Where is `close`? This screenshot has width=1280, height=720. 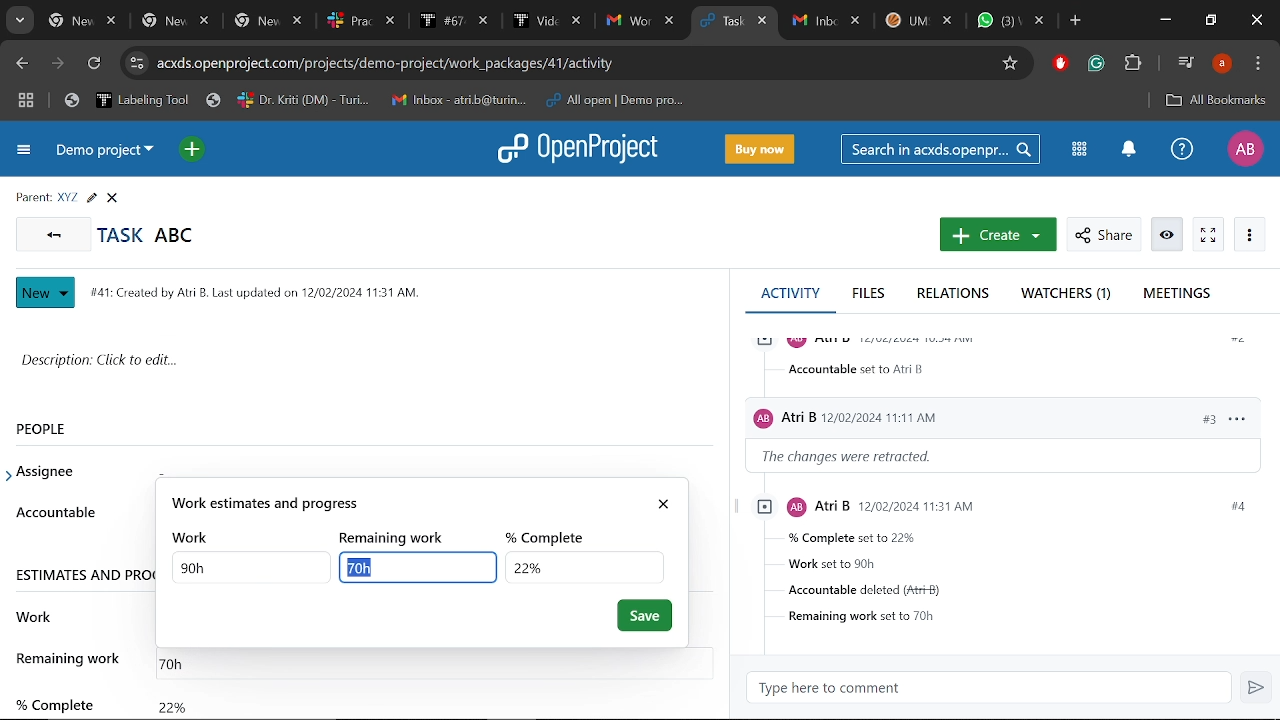
close is located at coordinates (667, 500).